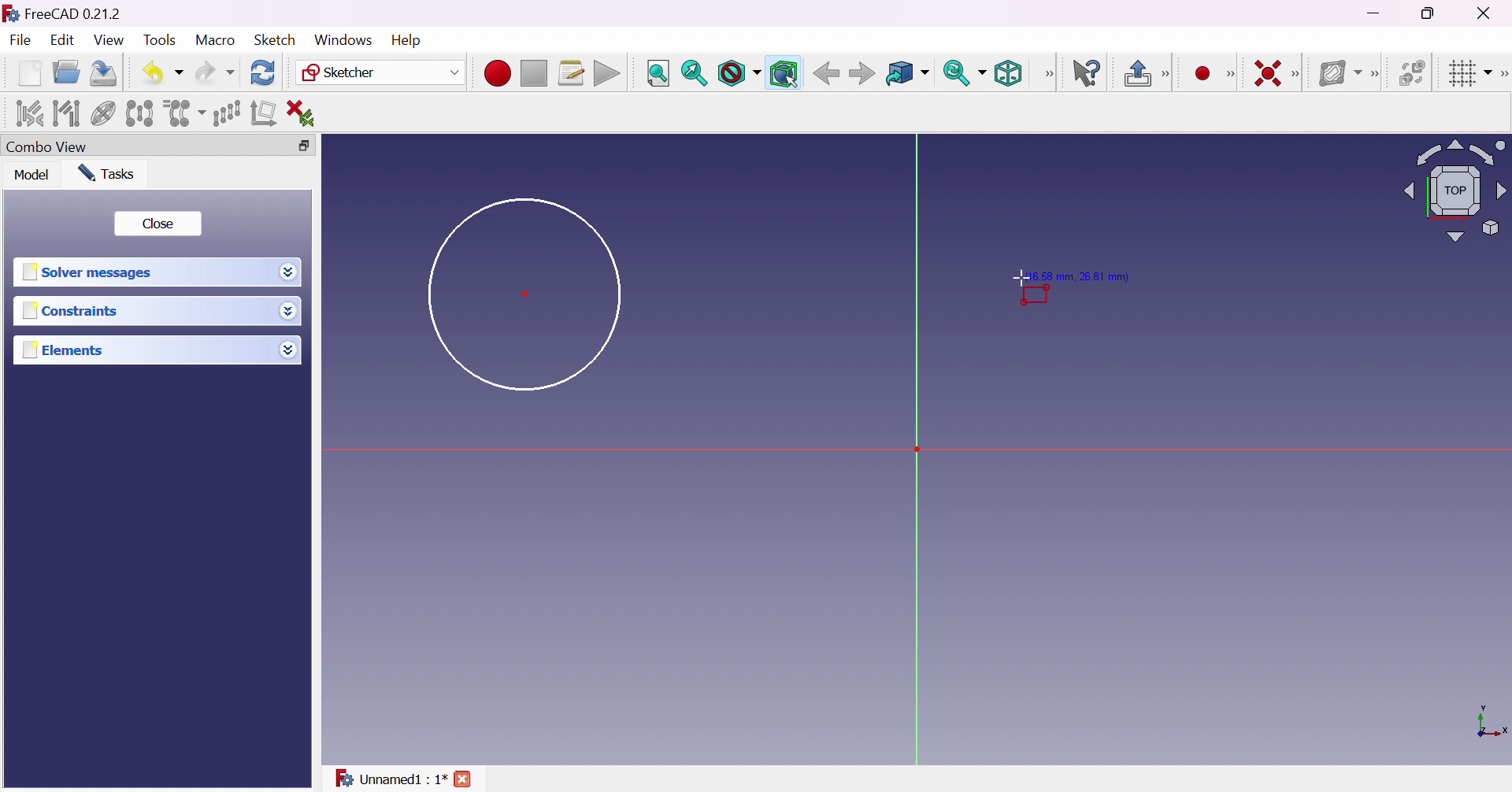 The image size is (1512, 792). Describe the element at coordinates (216, 39) in the screenshot. I see `Macro` at that location.